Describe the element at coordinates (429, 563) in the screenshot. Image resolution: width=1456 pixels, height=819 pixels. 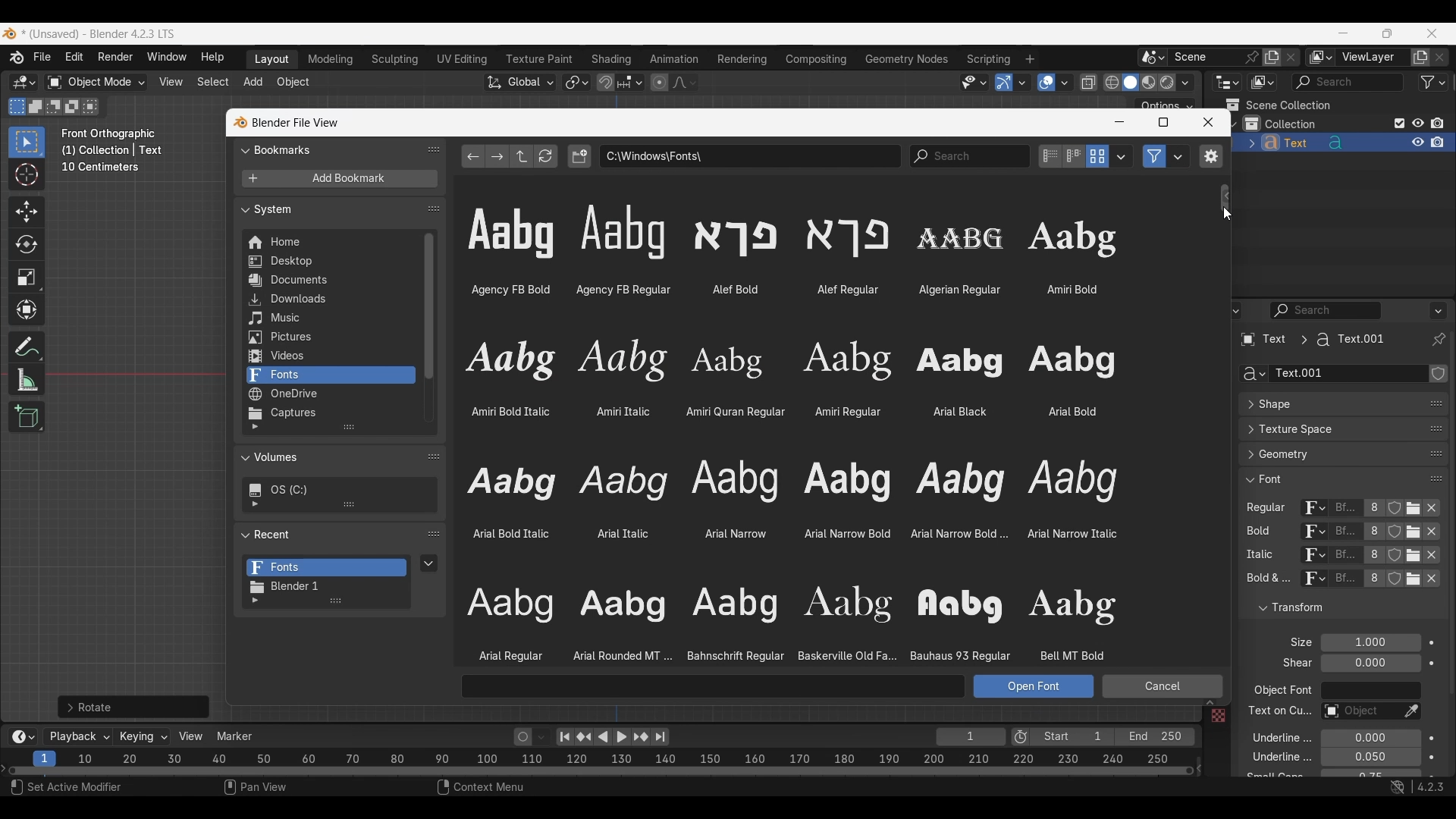
I see `Recent items specials` at that location.